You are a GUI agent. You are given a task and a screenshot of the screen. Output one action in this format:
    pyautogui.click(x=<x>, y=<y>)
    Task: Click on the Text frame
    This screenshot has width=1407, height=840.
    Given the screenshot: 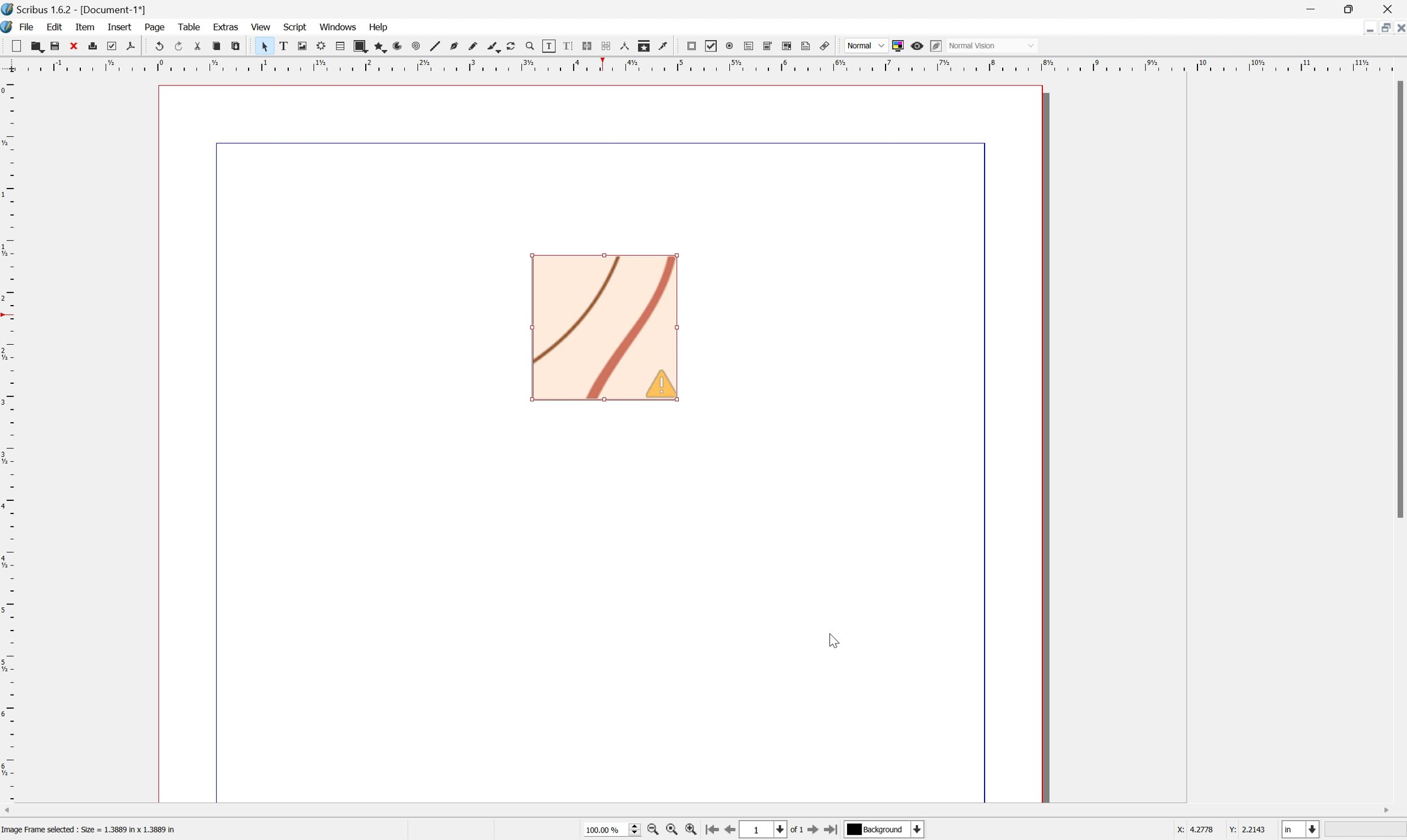 What is the action you would take?
    pyautogui.click(x=281, y=46)
    